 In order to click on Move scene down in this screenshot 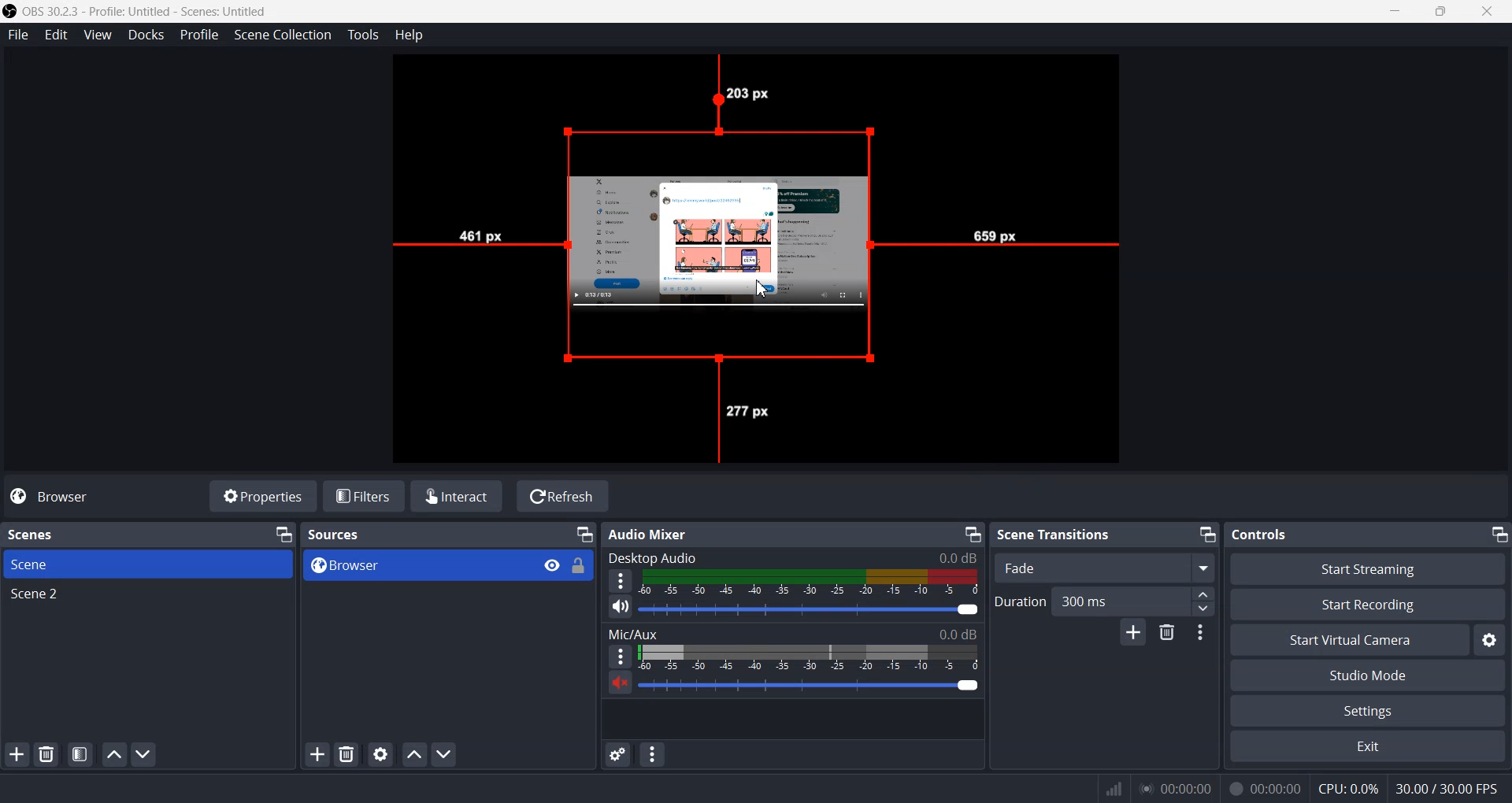, I will do `click(144, 754)`.